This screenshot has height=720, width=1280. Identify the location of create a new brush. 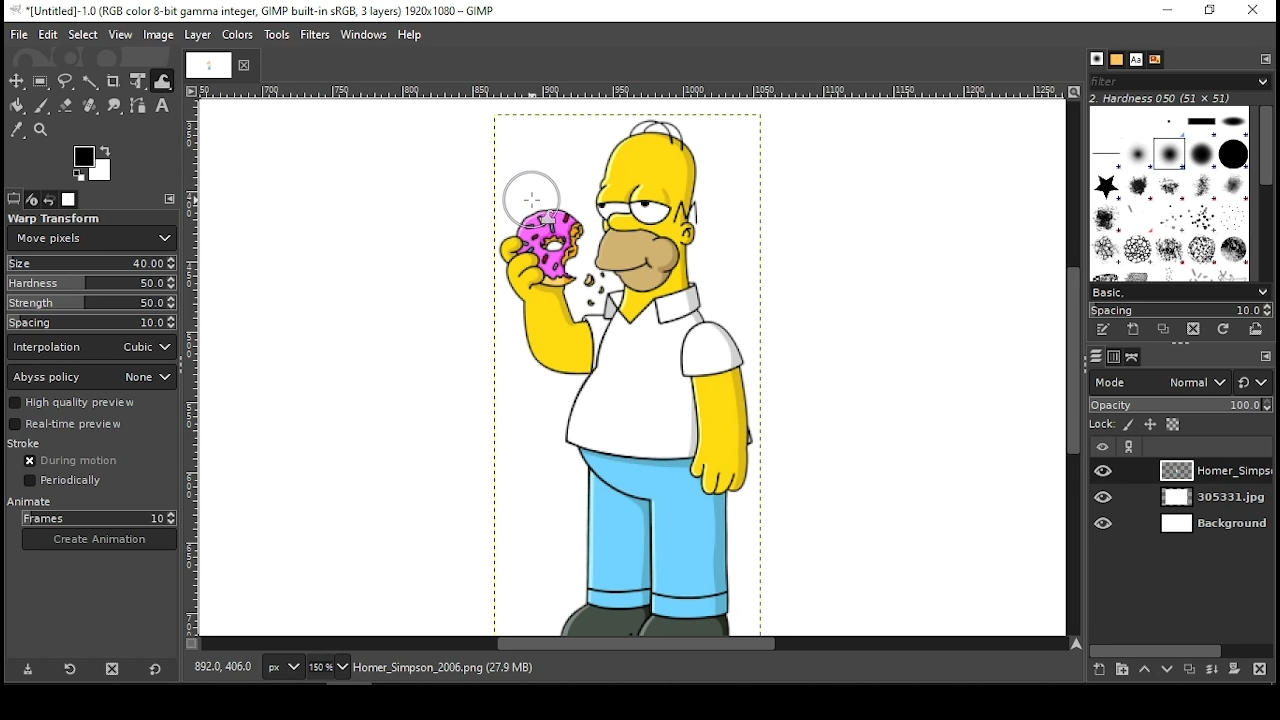
(1135, 330).